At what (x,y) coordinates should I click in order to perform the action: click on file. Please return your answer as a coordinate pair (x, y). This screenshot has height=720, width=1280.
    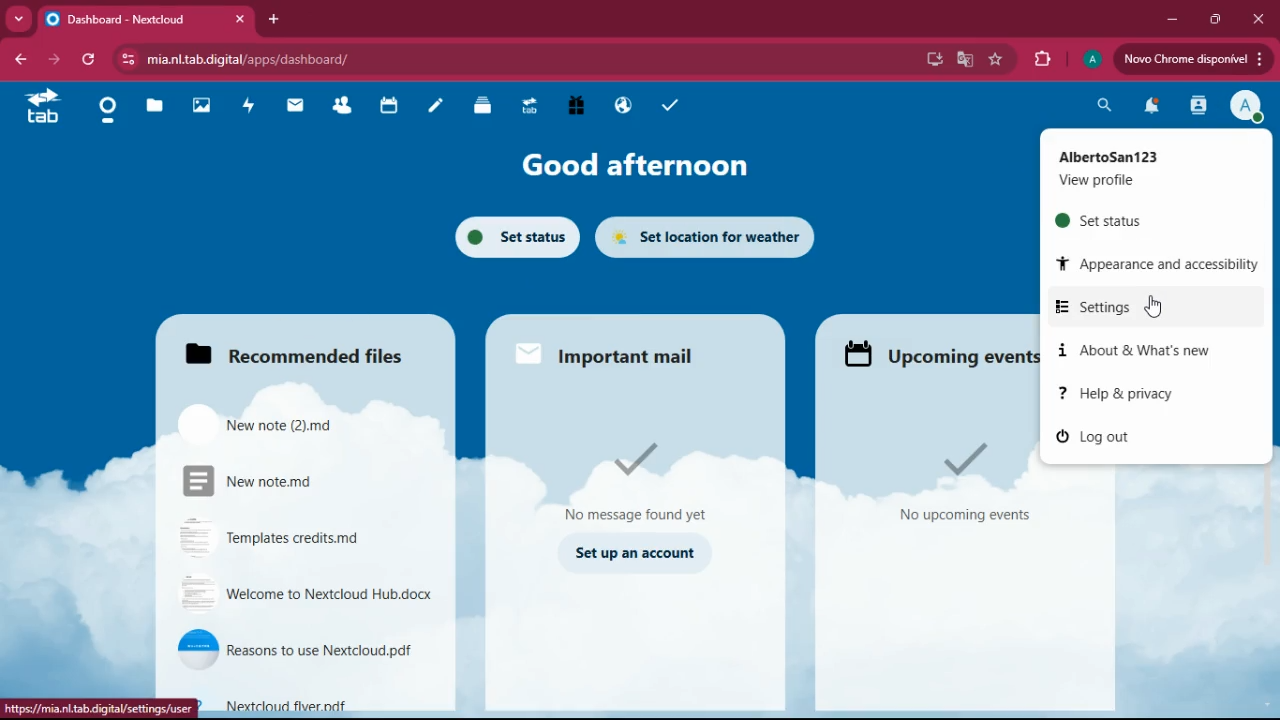
    Looking at the image, I should click on (296, 650).